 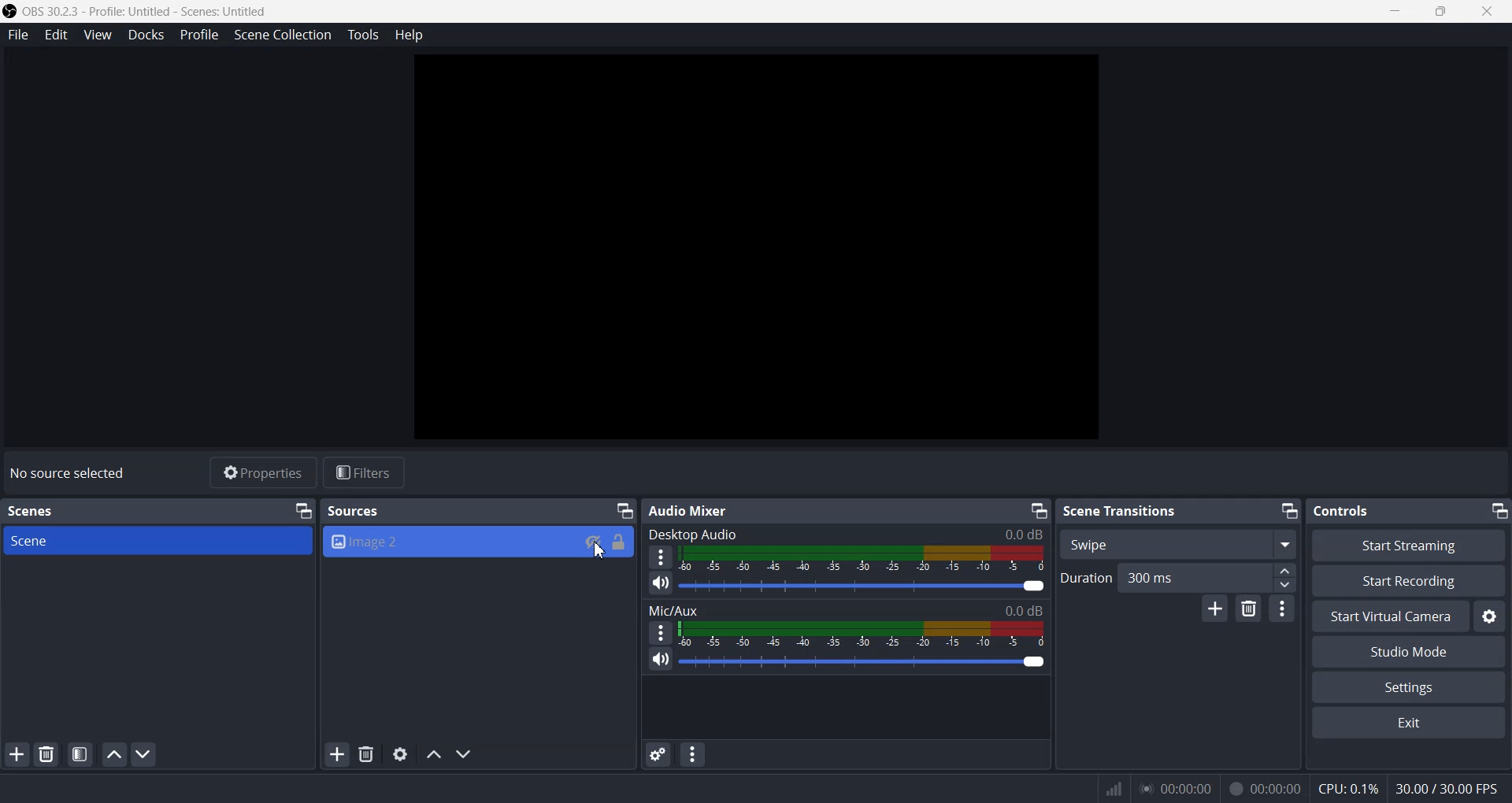 What do you see at coordinates (441, 543) in the screenshot?
I see `Image 2 file` at bounding box center [441, 543].